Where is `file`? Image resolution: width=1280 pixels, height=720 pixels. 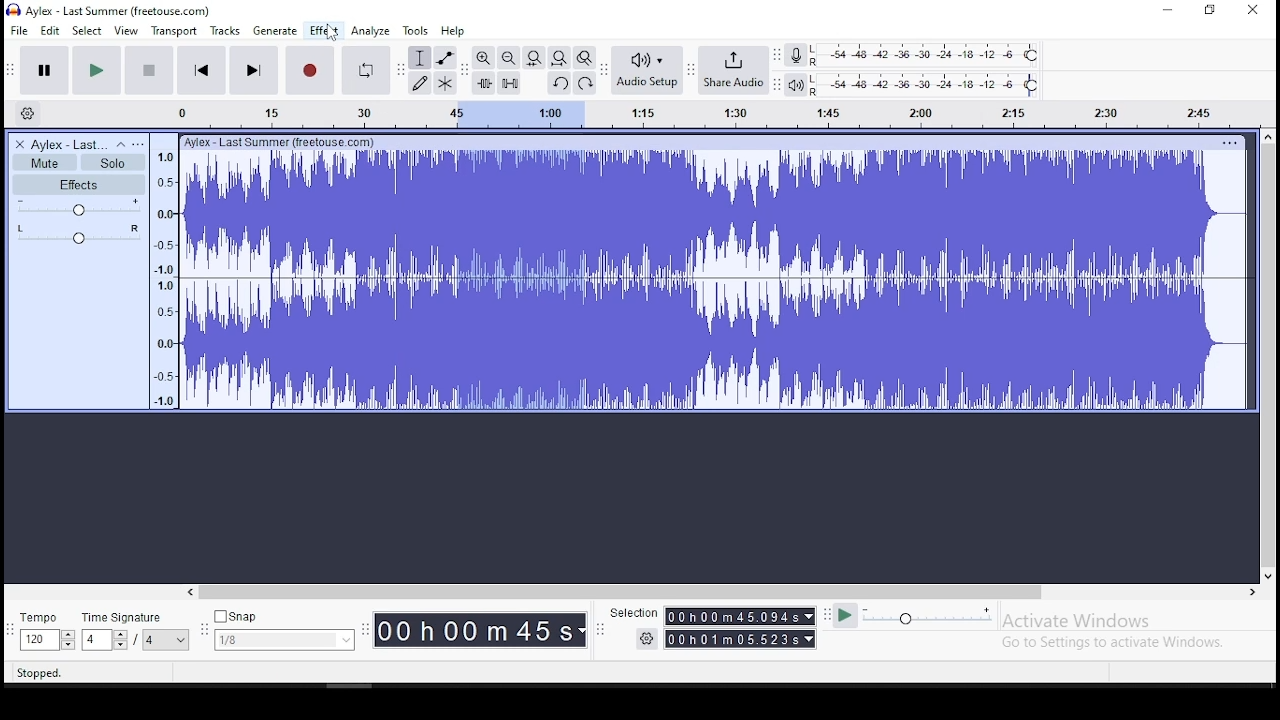 file is located at coordinates (20, 30).